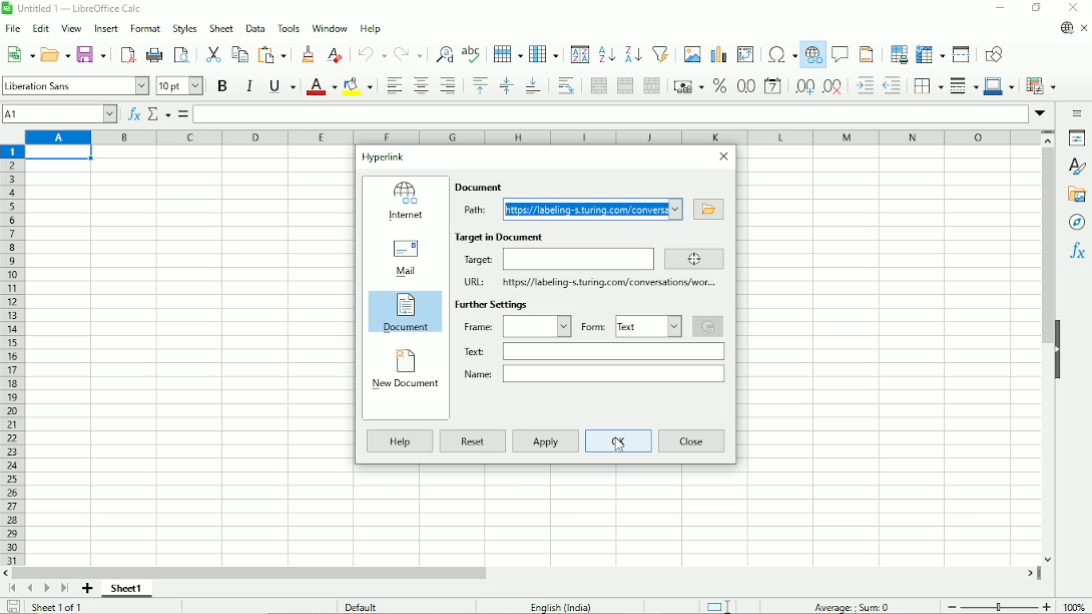  Describe the element at coordinates (1074, 8) in the screenshot. I see `Close` at that location.